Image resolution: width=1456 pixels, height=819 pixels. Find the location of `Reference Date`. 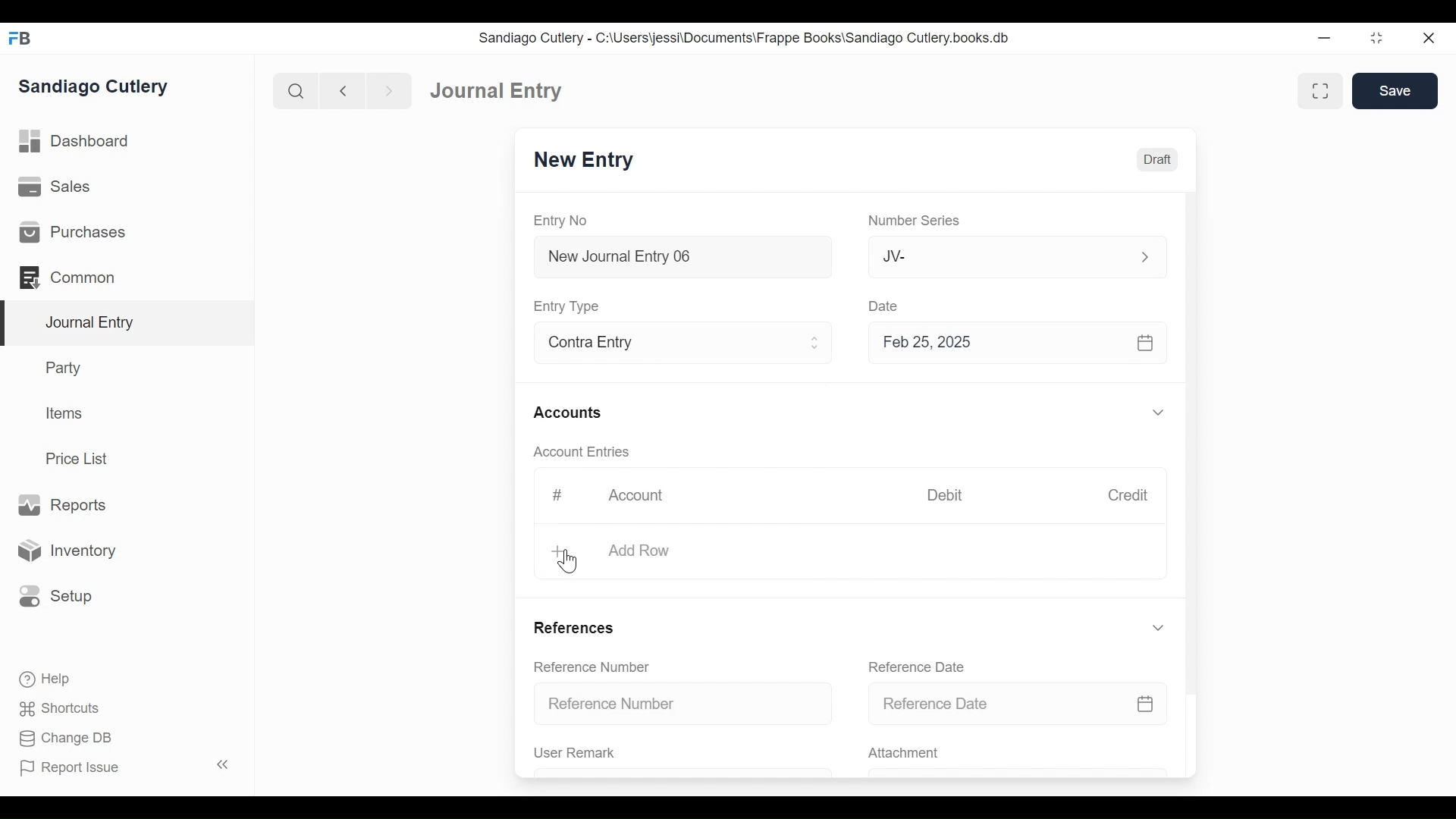

Reference Date is located at coordinates (915, 667).